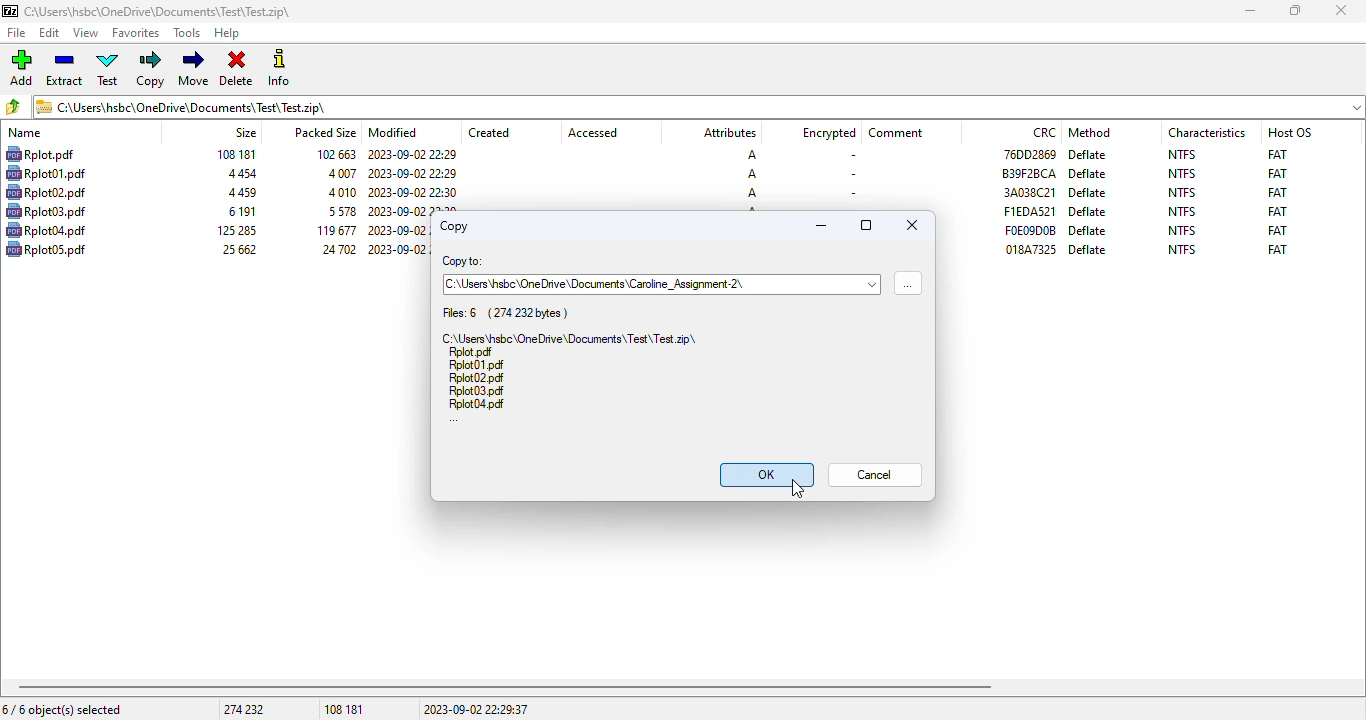  What do you see at coordinates (752, 174) in the screenshot?
I see `A` at bounding box center [752, 174].